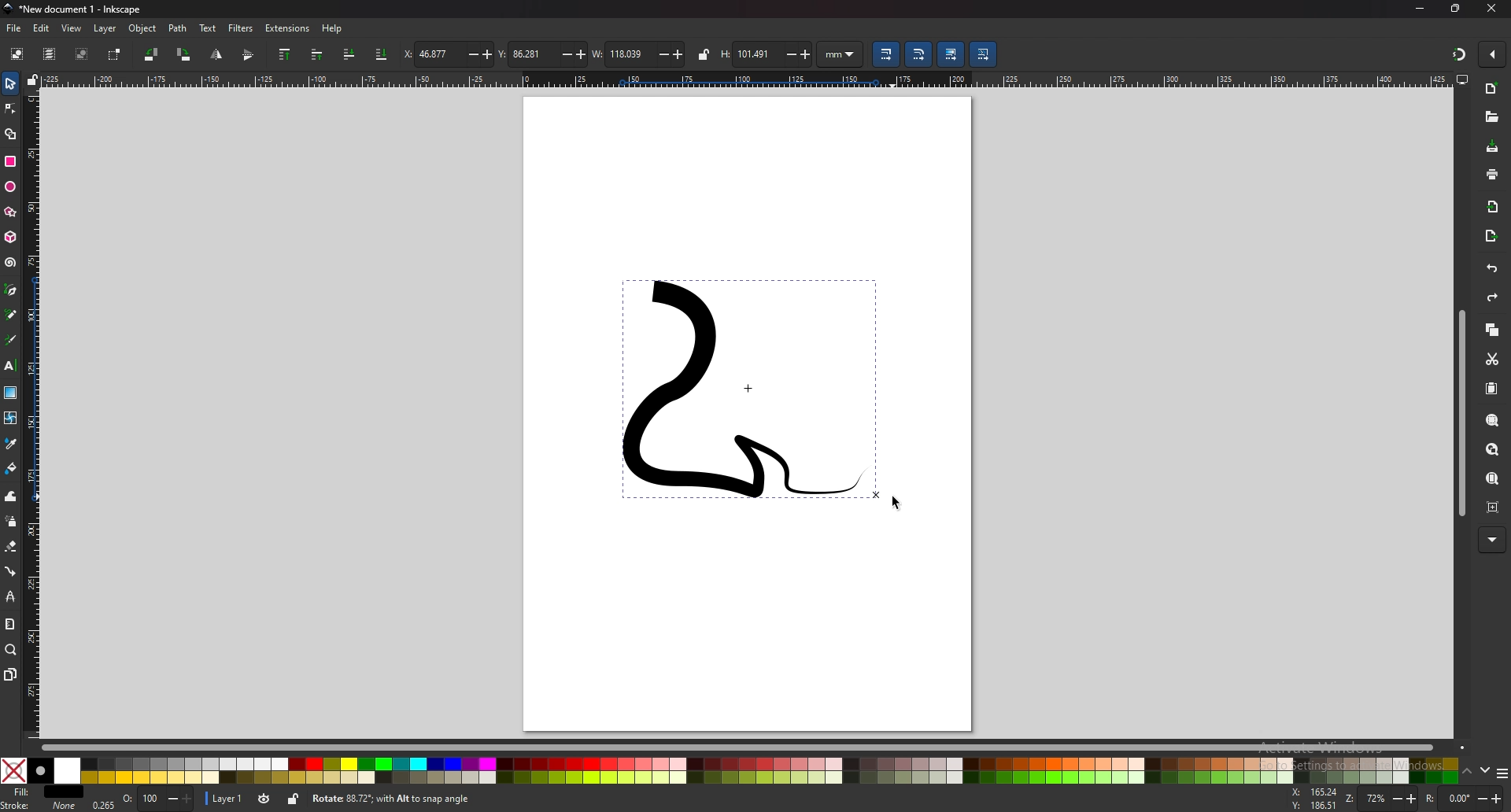 This screenshot has height=812, width=1511. Describe the element at coordinates (11, 571) in the screenshot. I see `connector` at that location.